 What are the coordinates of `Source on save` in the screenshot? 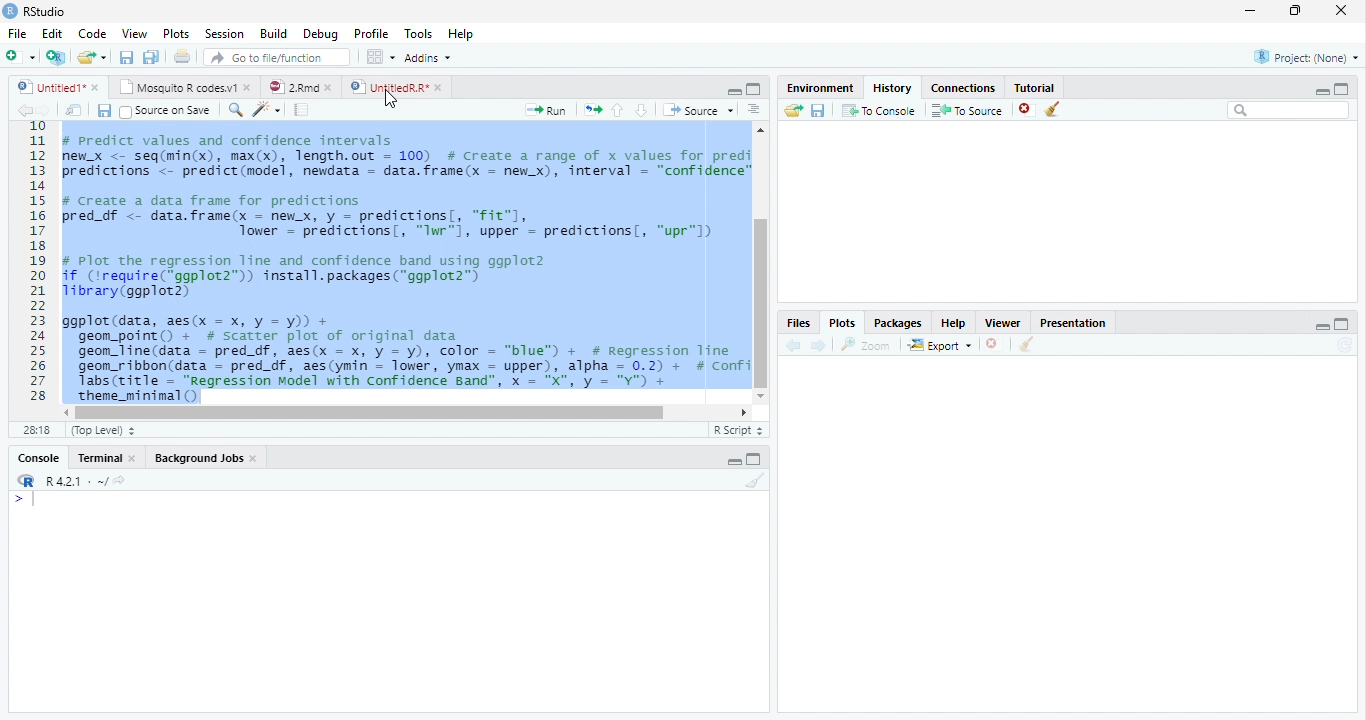 It's located at (166, 110).